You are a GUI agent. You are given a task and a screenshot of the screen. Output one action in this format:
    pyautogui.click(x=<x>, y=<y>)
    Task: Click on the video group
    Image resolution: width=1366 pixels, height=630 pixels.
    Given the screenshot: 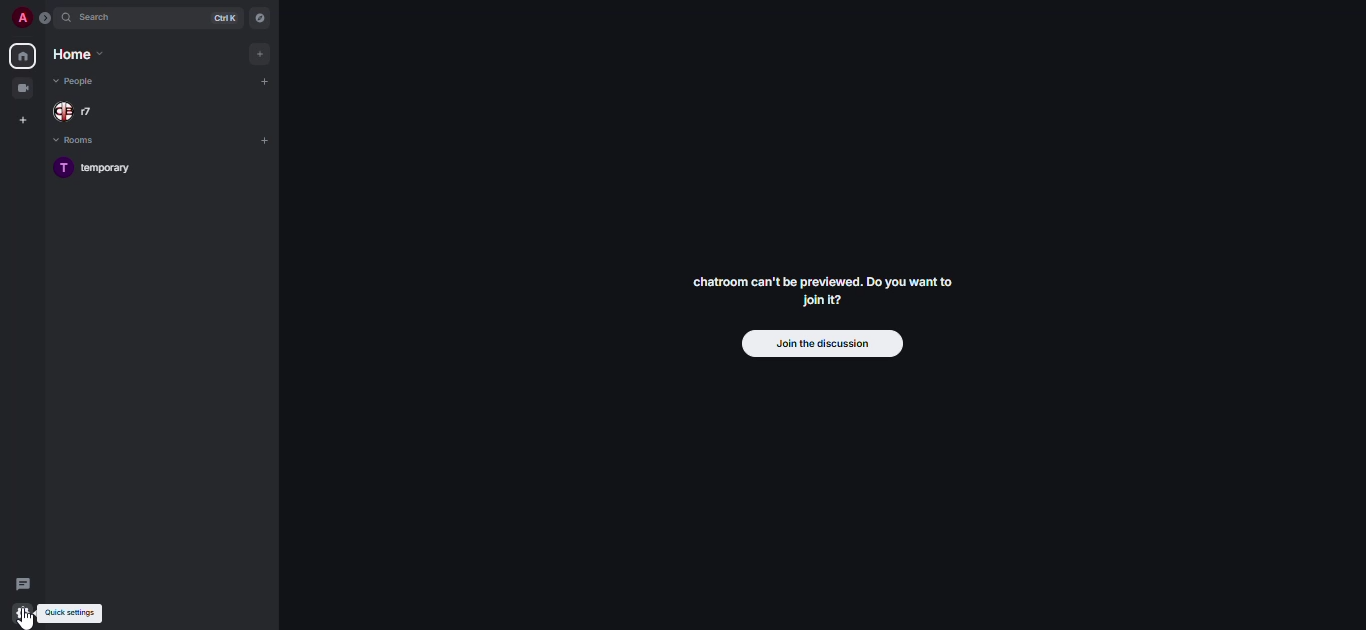 What is the action you would take?
    pyautogui.click(x=22, y=88)
    